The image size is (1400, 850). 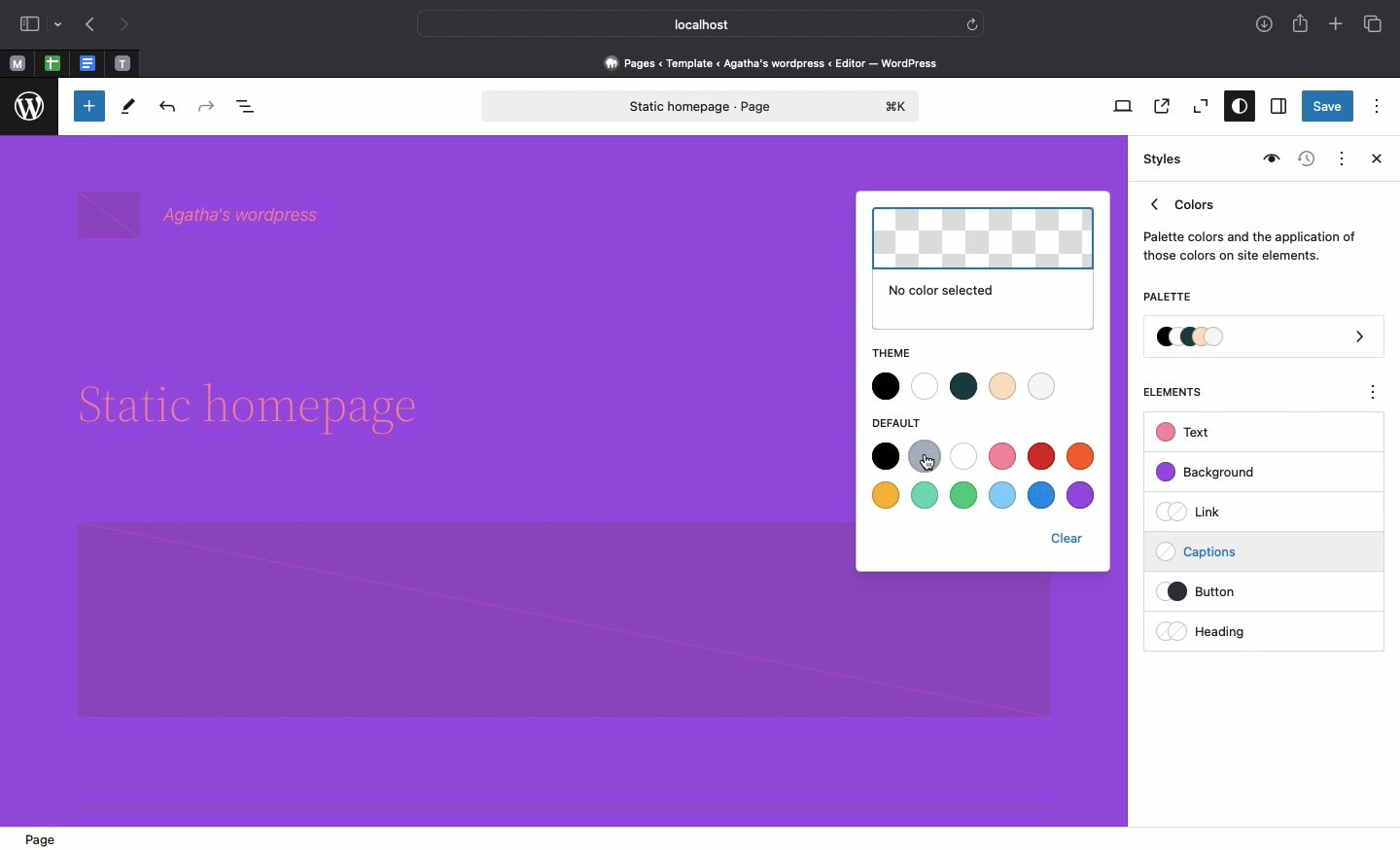 I want to click on Sidebar, so click(x=29, y=24).